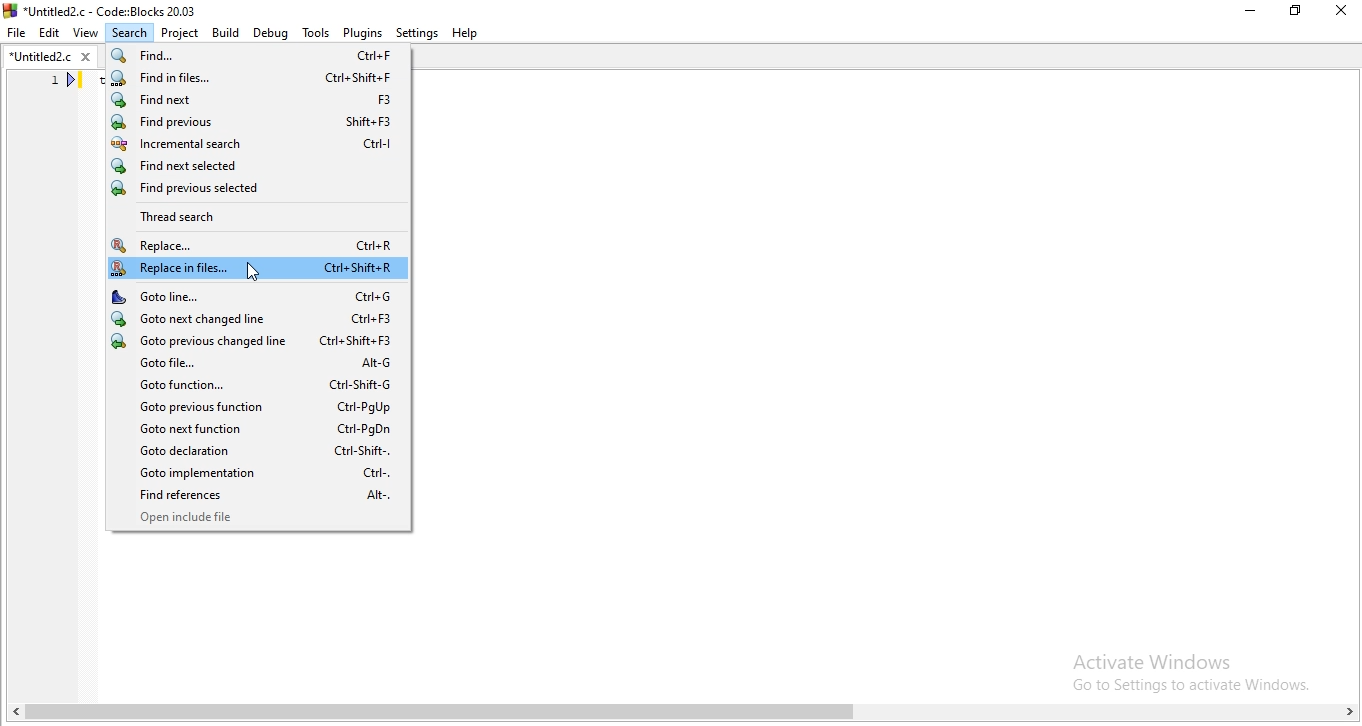  I want to click on Find previous , so click(255, 123).